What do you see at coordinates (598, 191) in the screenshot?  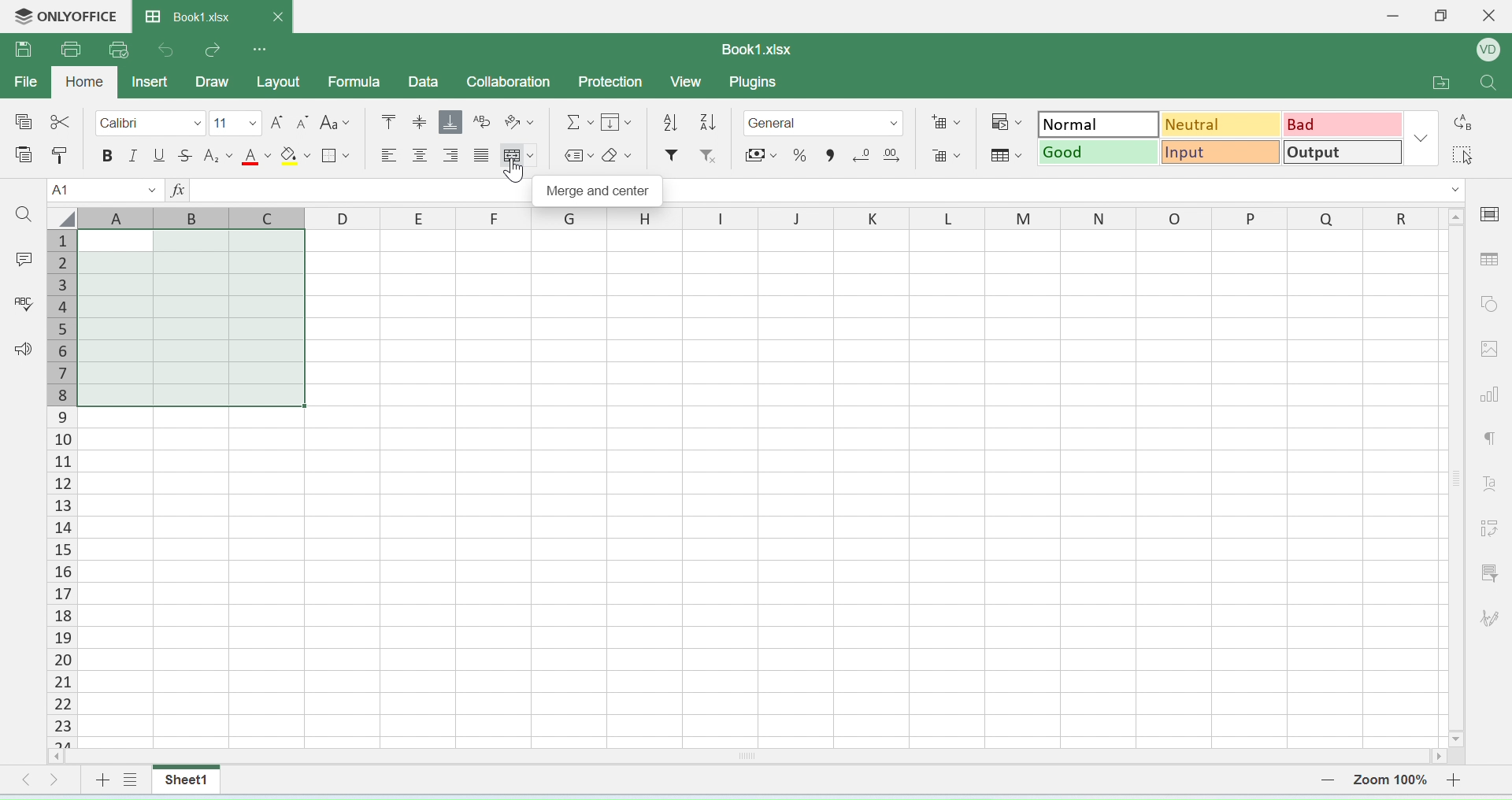 I see `Merge and center` at bounding box center [598, 191].